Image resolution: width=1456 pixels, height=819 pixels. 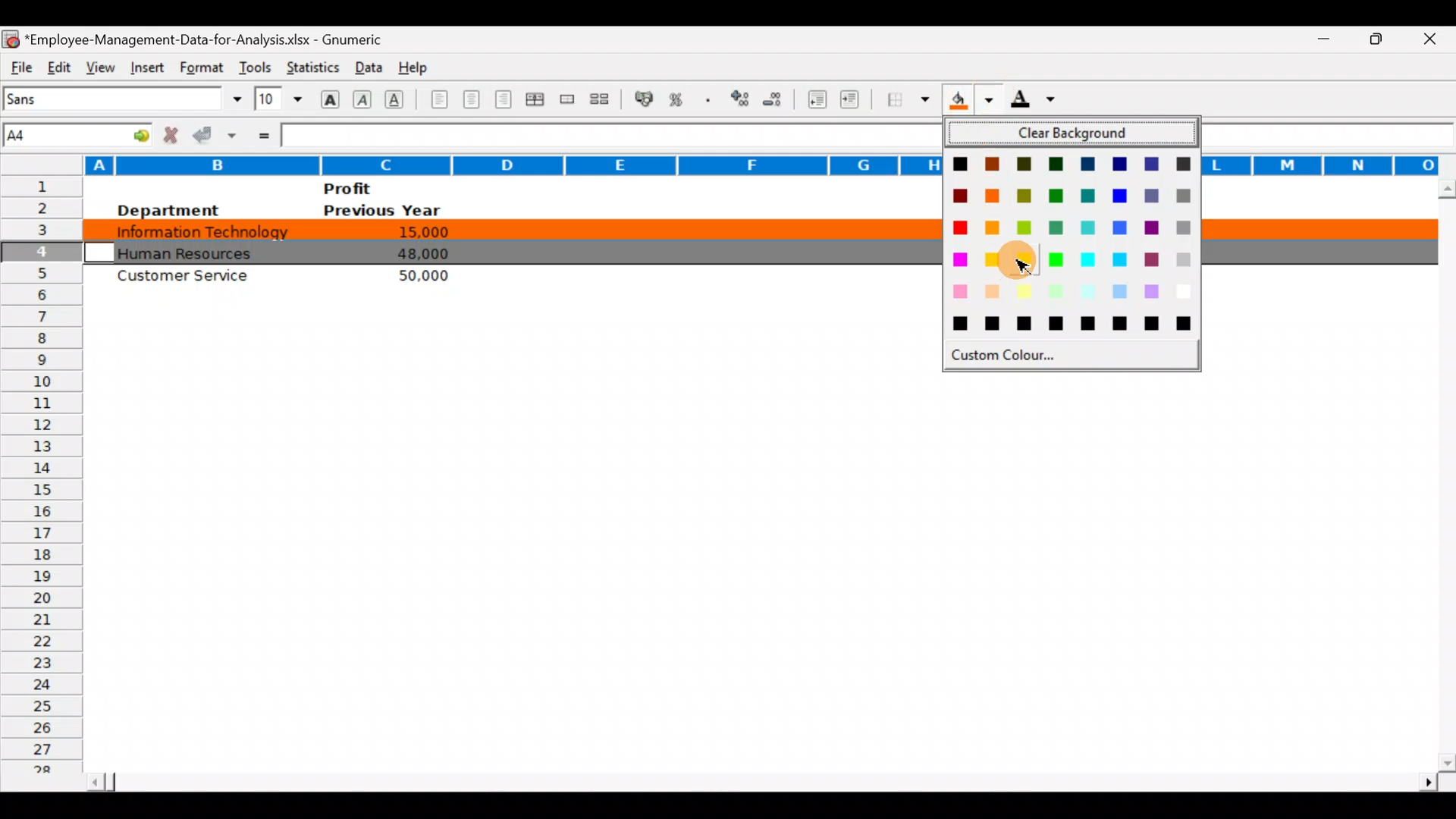 I want to click on Formula bar, so click(x=604, y=135).